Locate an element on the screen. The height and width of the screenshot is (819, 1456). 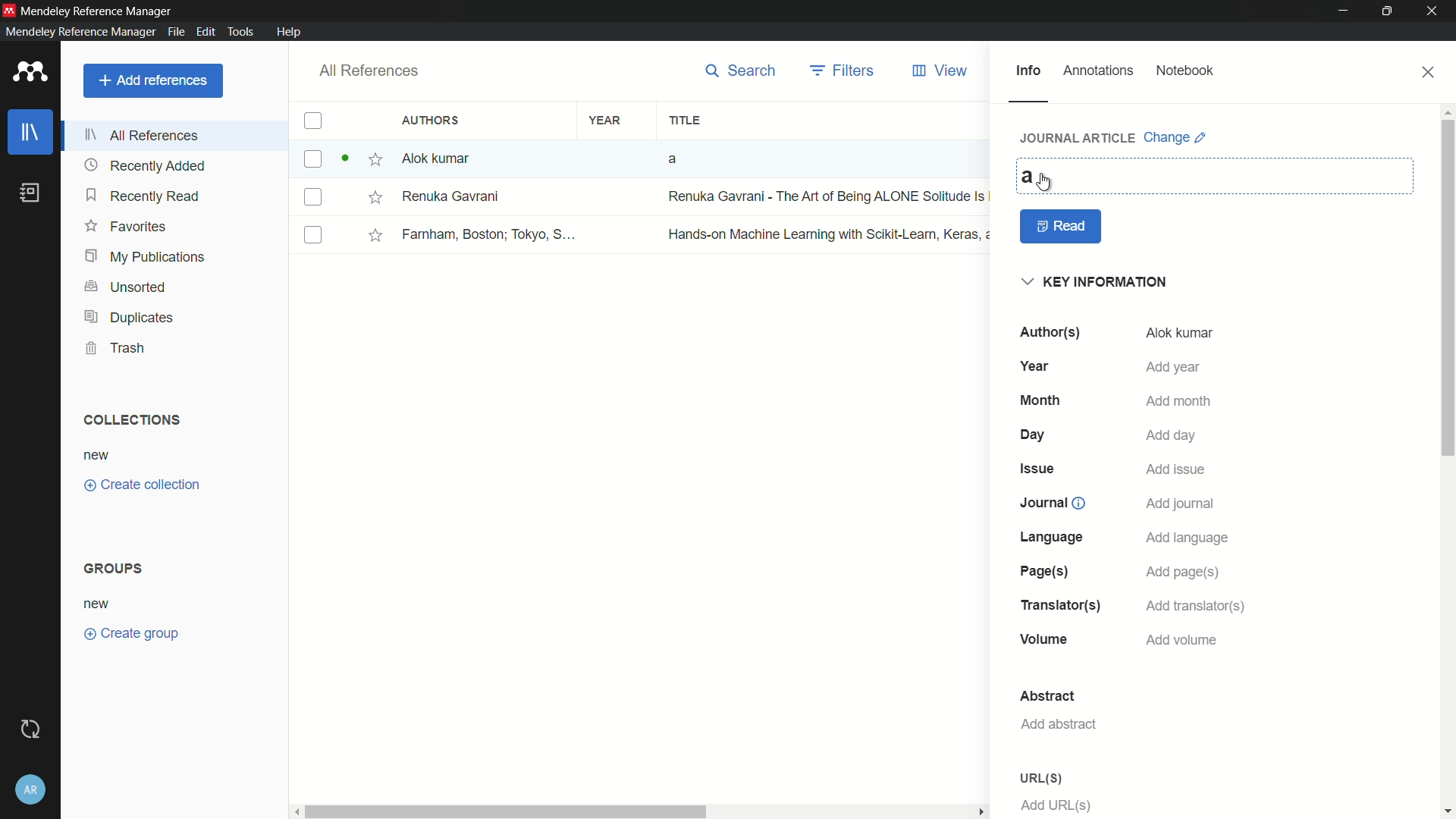
add url is located at coordinates (1057, 805).